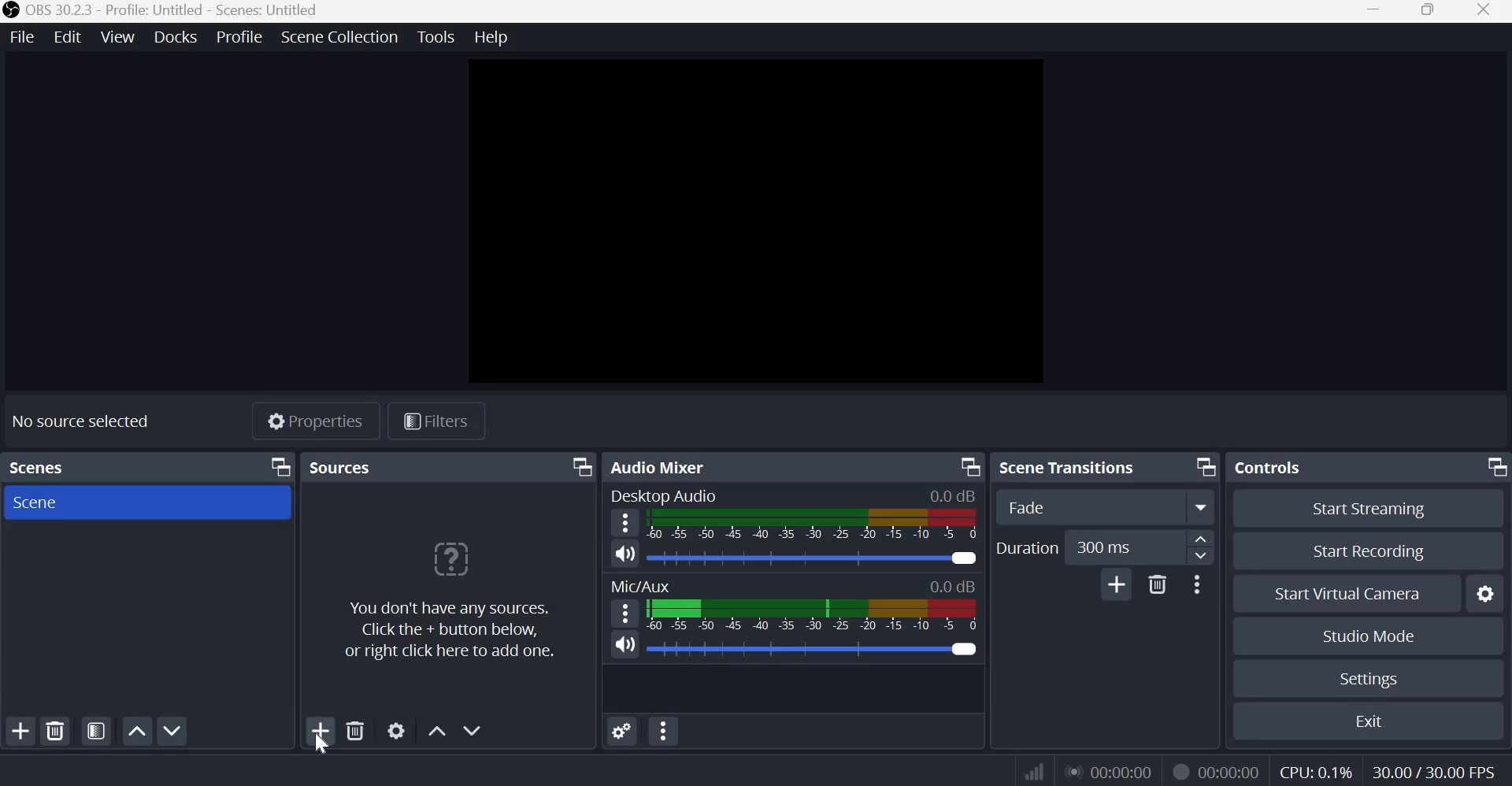 The height and width of the screenshot is (786, 1512). I want to click on Fade, so click(1074, 506).